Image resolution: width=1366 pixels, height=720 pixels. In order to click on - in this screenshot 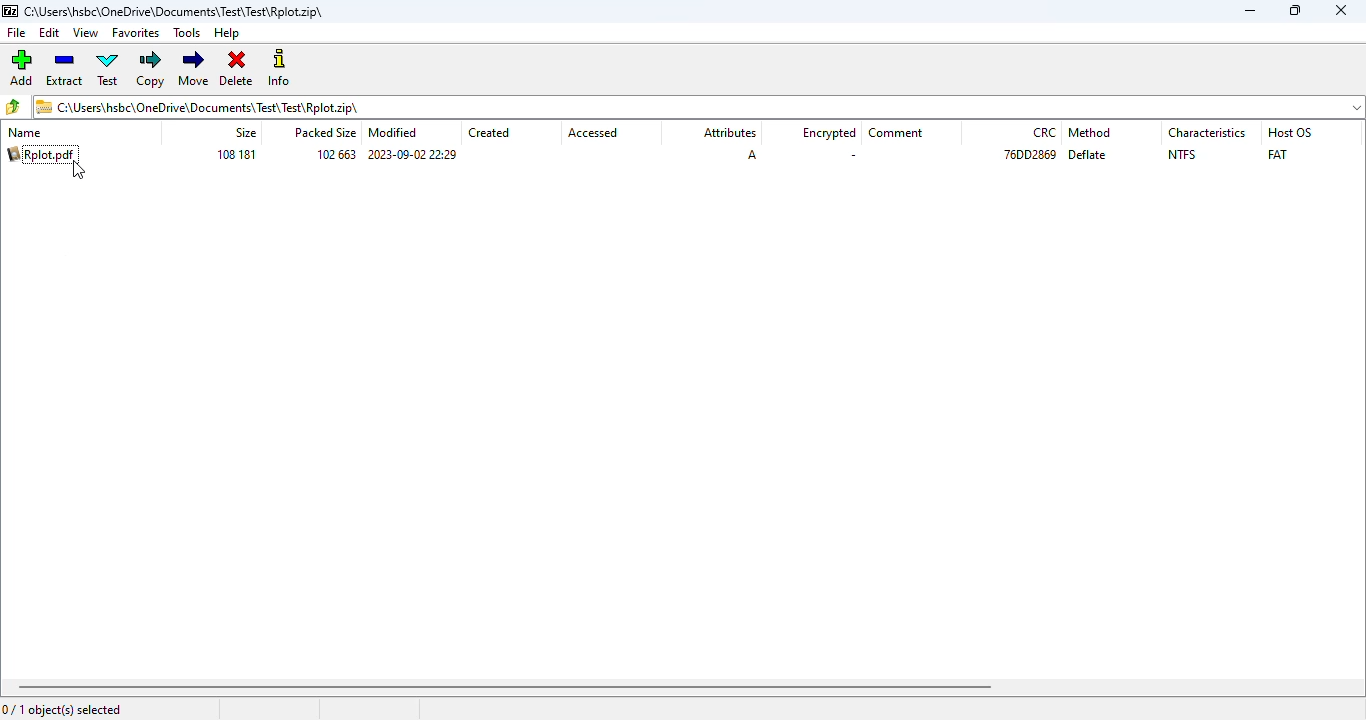, I will do `click(853, 155)`.